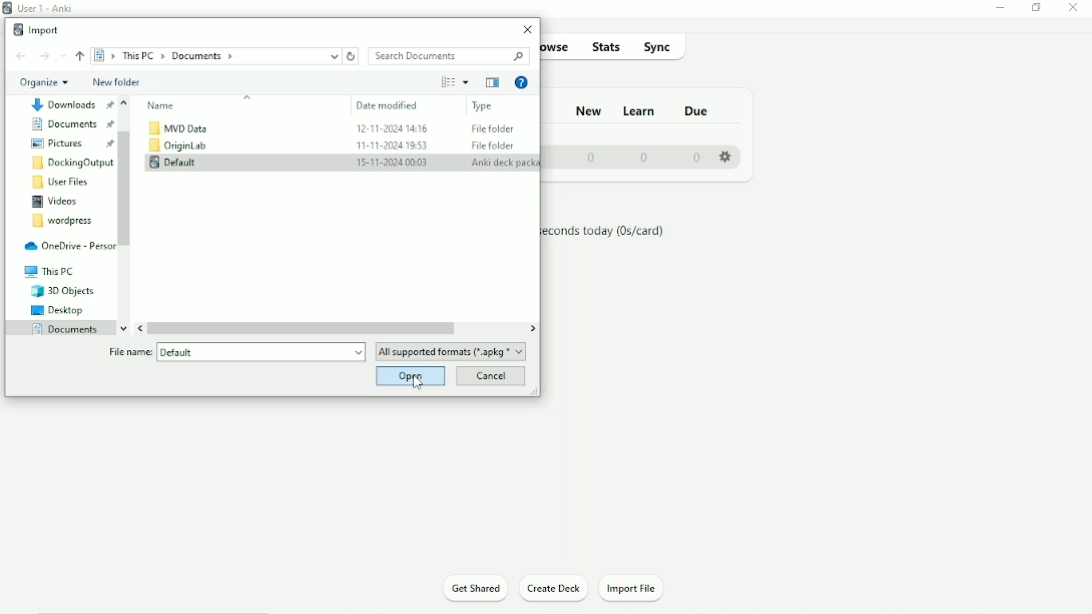 Image resolution: width=1092 pixels, height=614 pixels. What do you see at coordinates (418, 386) in the screenshot?
I see `Cursor` at bounding box center [418, 386].